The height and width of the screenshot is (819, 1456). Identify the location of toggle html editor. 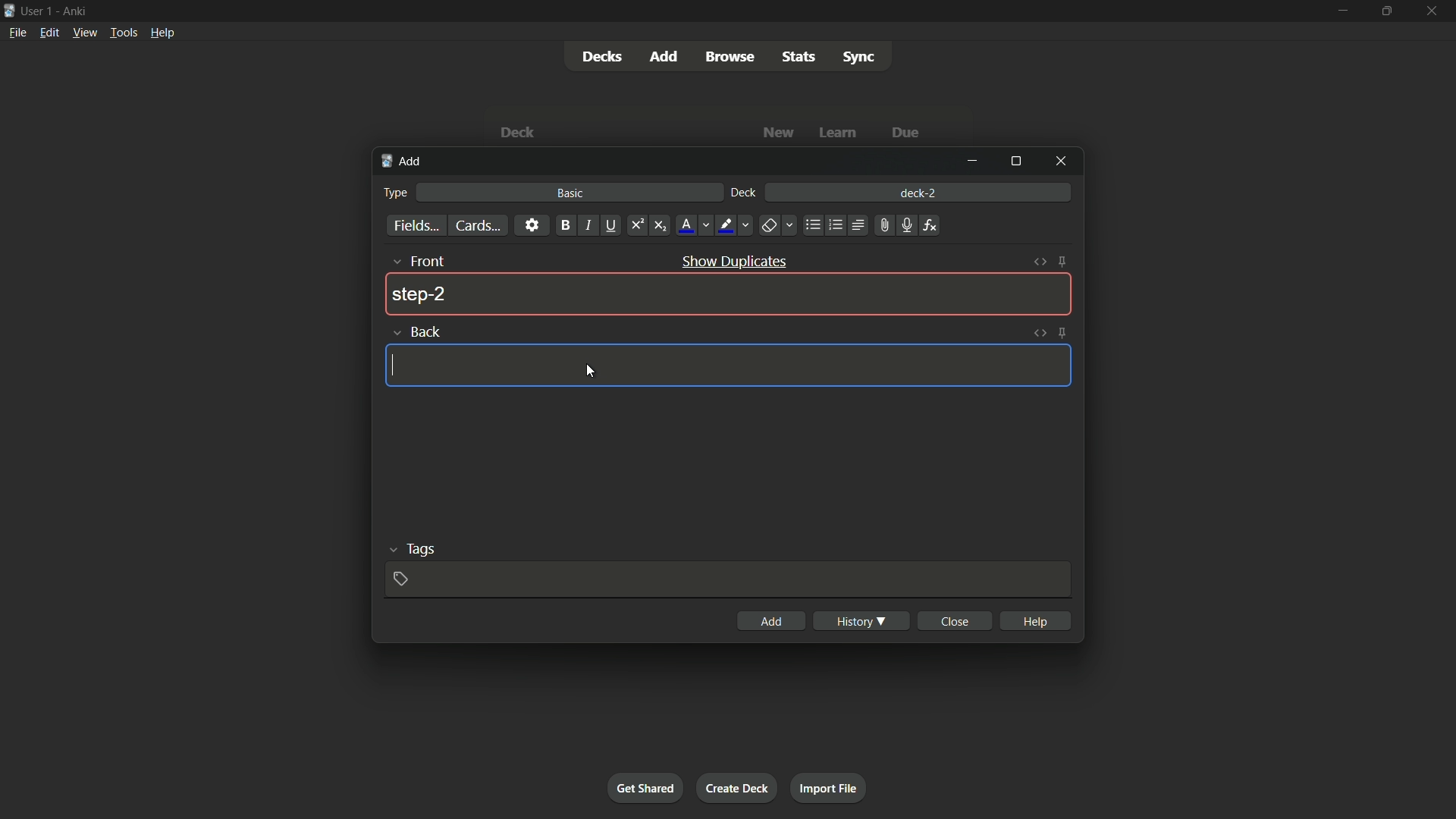
(1043, 260).